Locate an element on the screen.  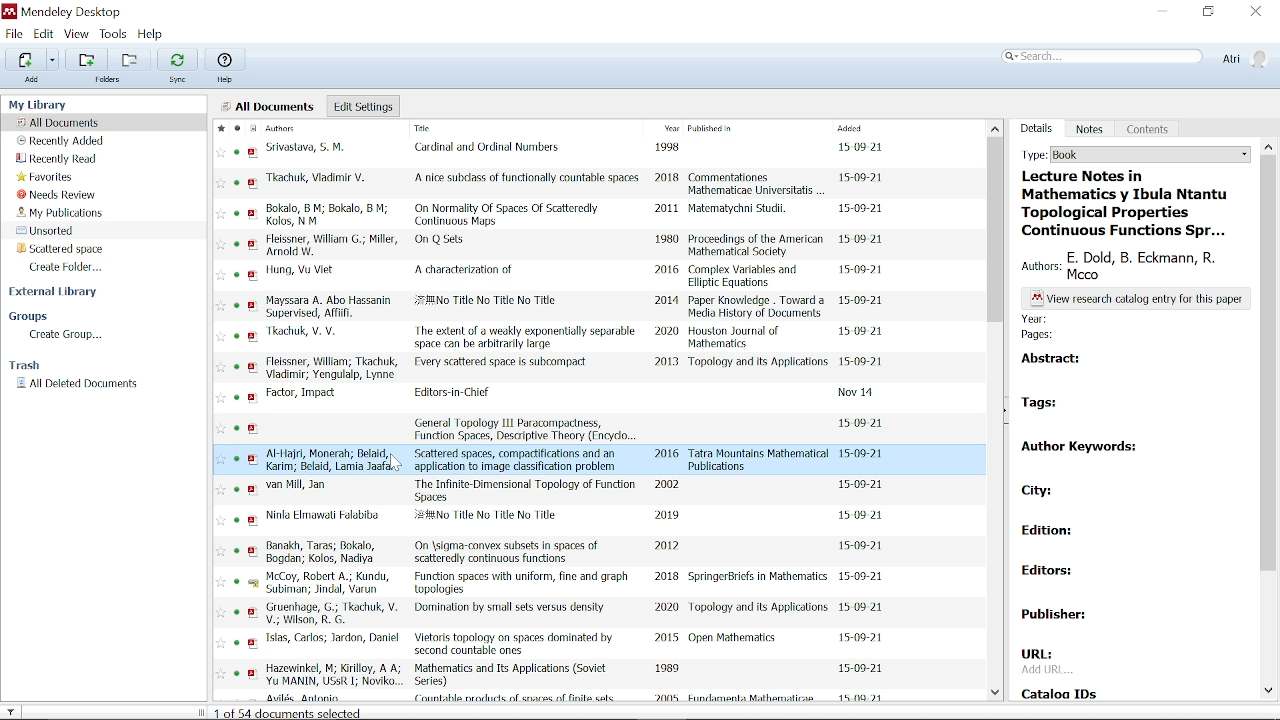
Minimize is located at coordinates (1162, 12).